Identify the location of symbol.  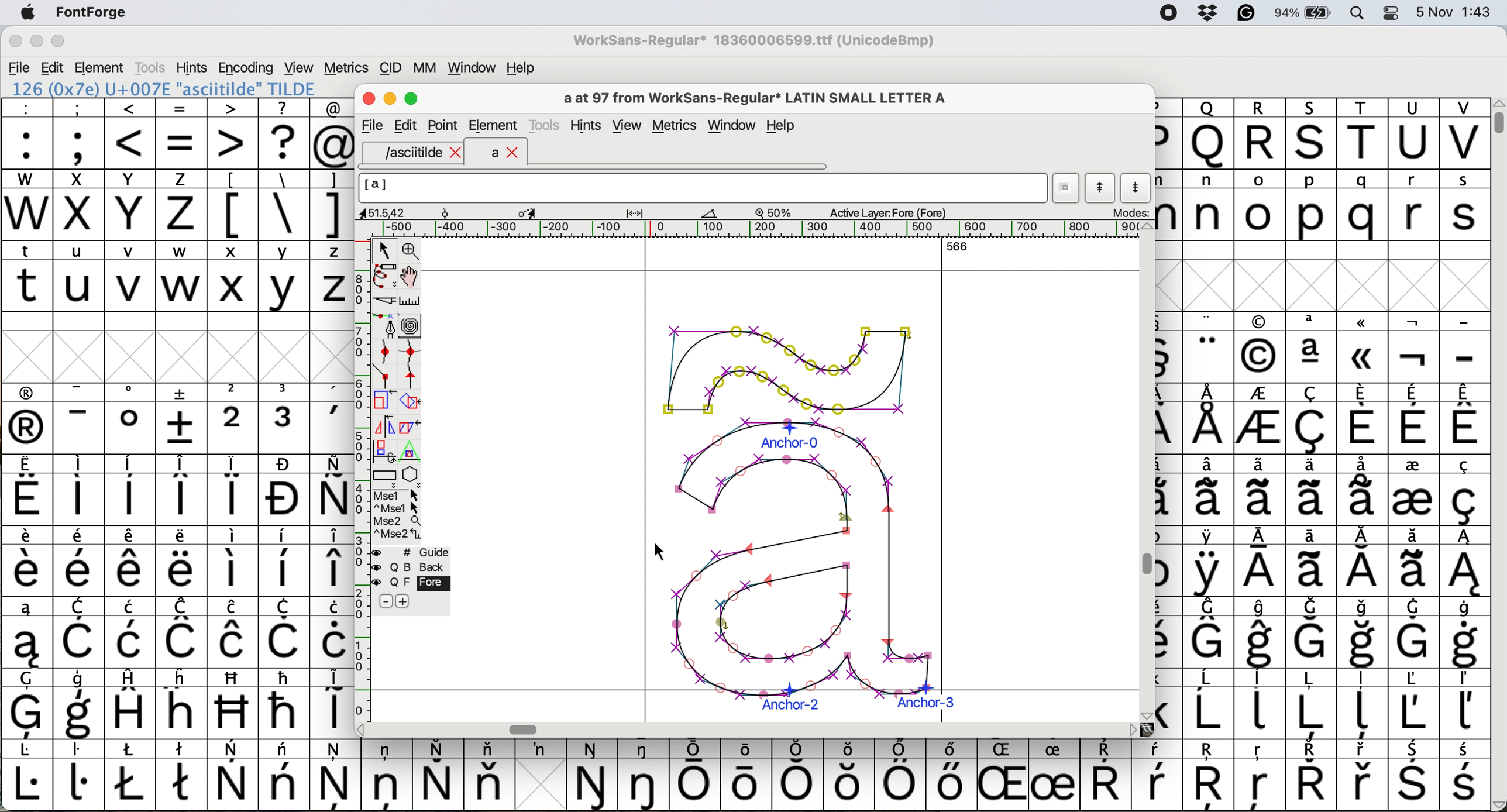
(1466, 776).